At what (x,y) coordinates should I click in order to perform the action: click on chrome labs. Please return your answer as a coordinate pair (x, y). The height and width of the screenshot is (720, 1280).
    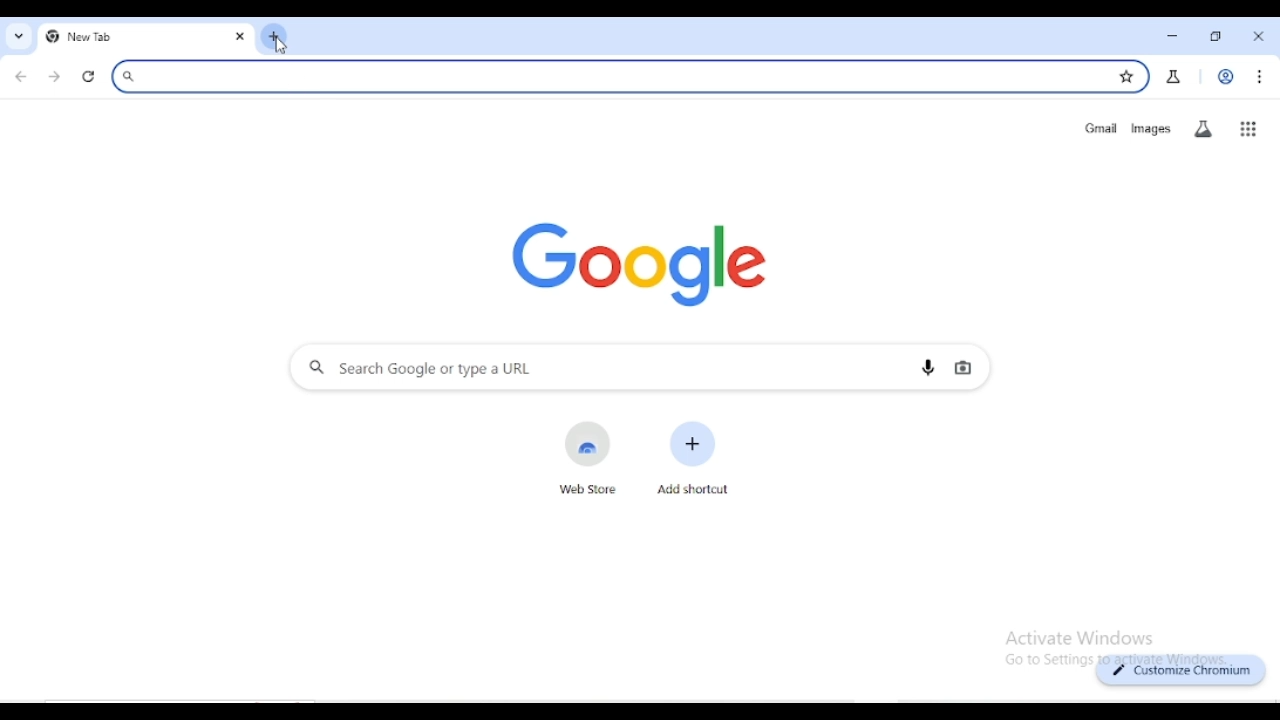
    Looking at the image, I should click on (1174, 76).